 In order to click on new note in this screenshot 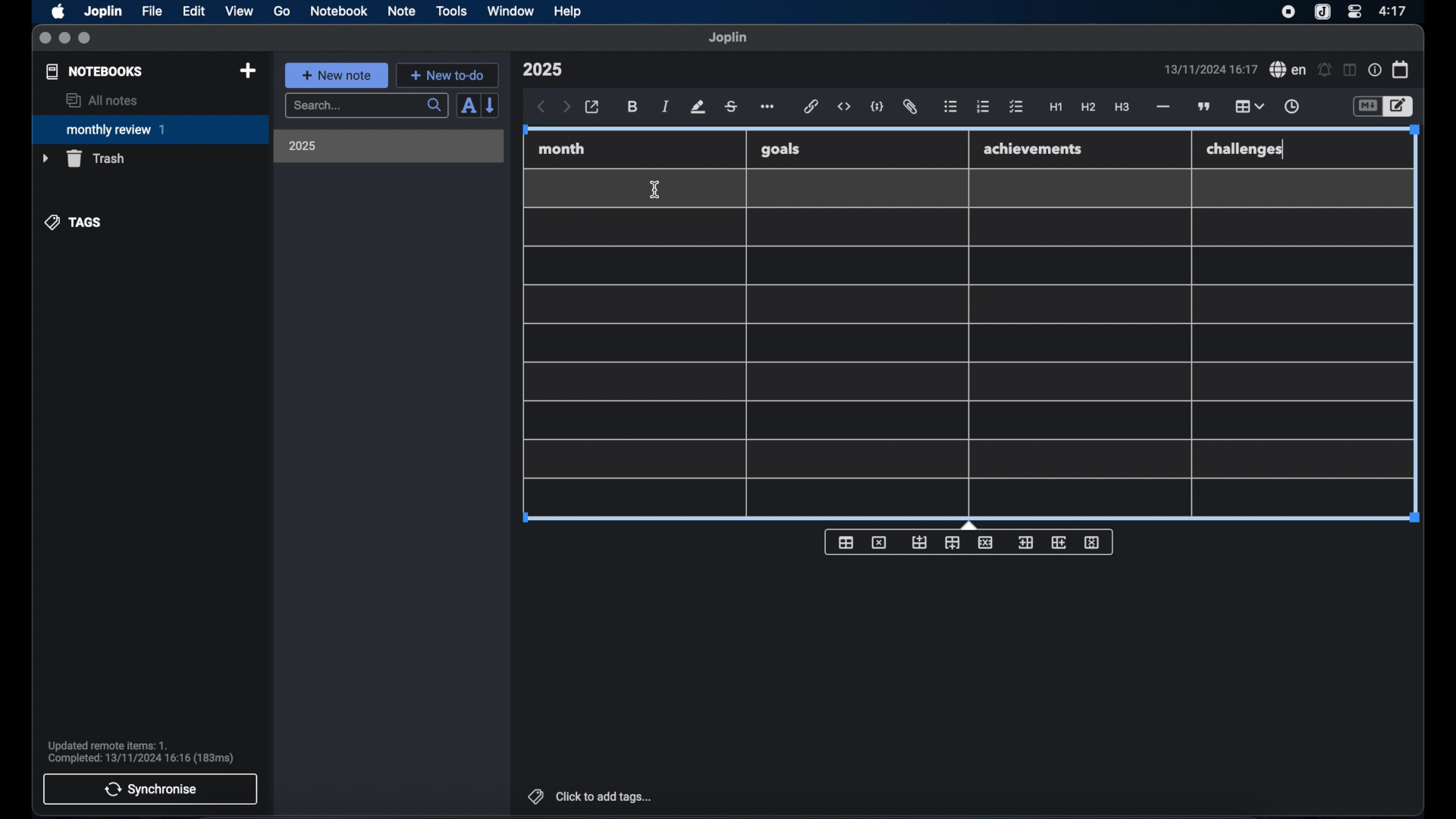, I will do `click(336, 75)`.